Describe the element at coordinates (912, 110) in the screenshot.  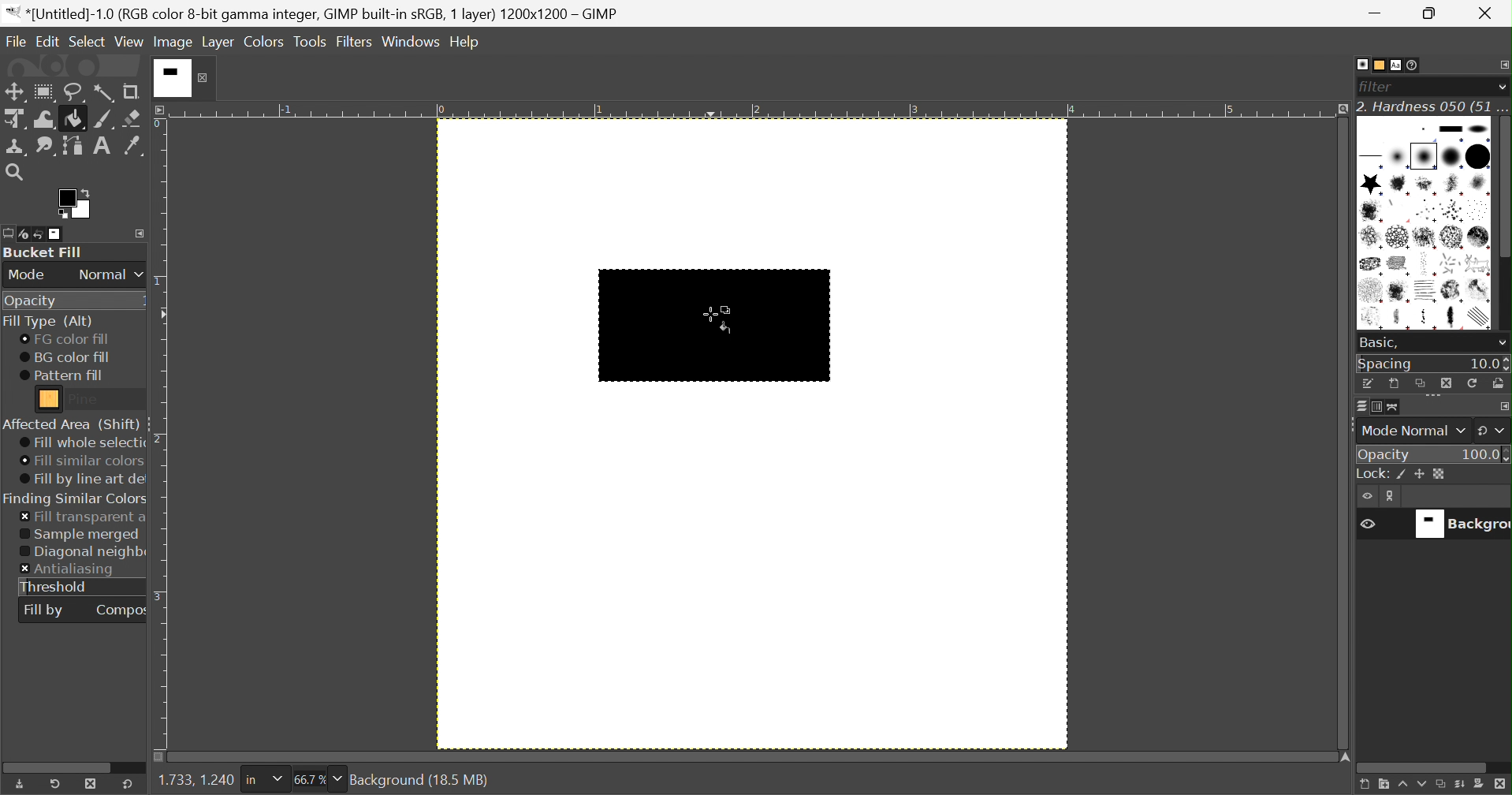
I see `3` at that location.